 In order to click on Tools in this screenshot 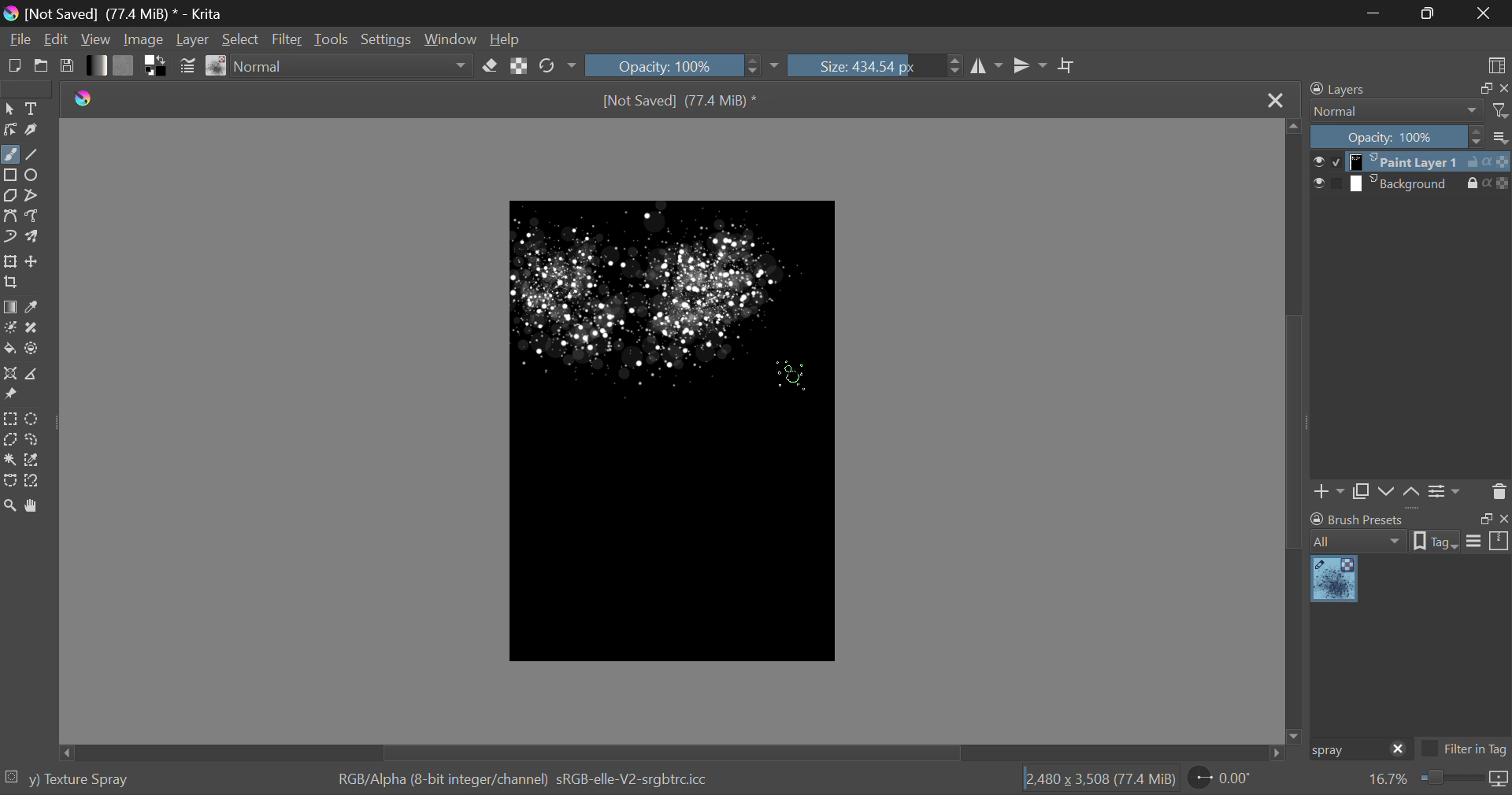, I will do `click(334, 39)`.